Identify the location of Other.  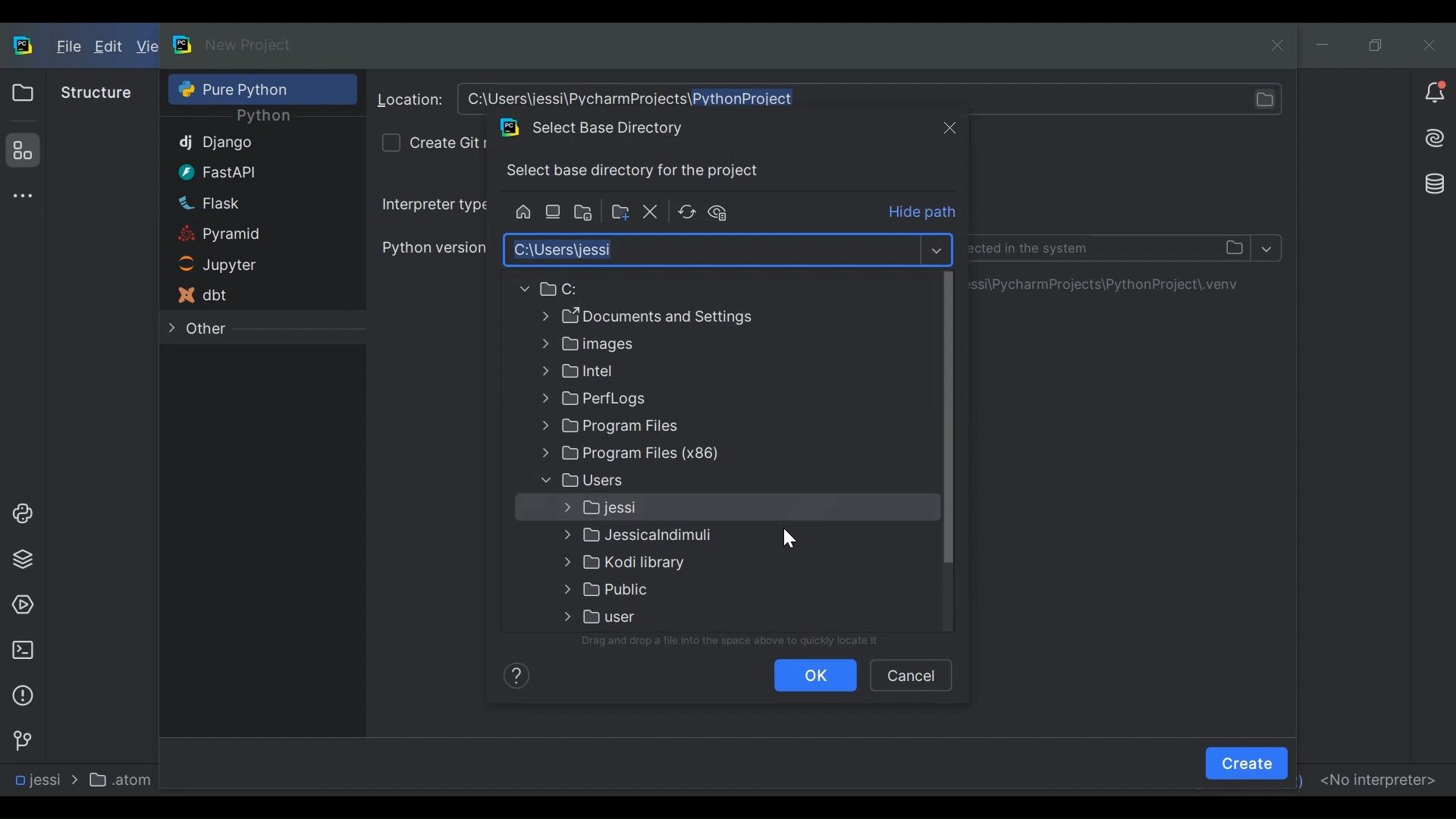
(240, 329).